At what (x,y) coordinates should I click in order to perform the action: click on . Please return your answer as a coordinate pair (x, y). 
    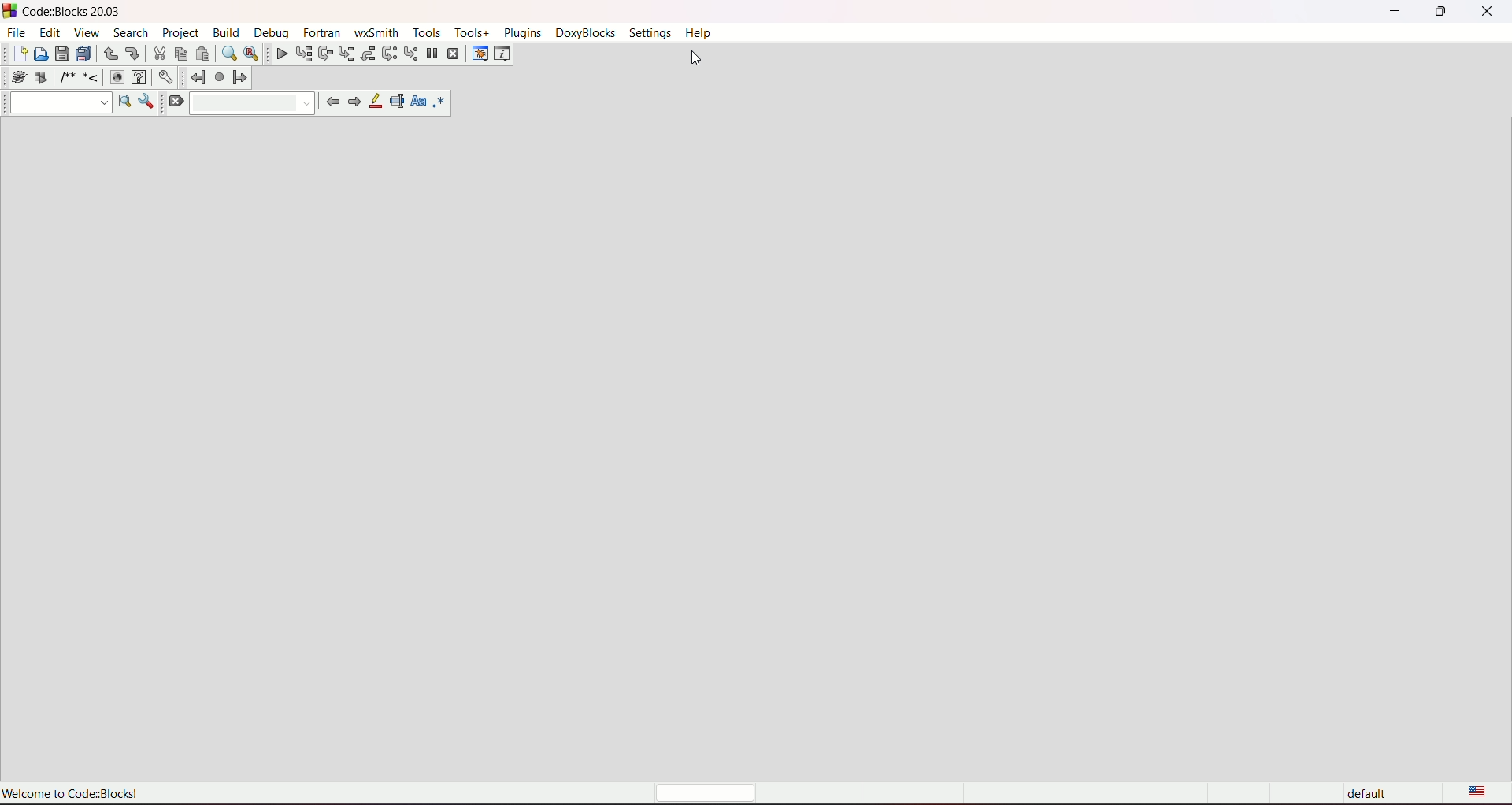
    Looking at the image, I should click on (115, 76).